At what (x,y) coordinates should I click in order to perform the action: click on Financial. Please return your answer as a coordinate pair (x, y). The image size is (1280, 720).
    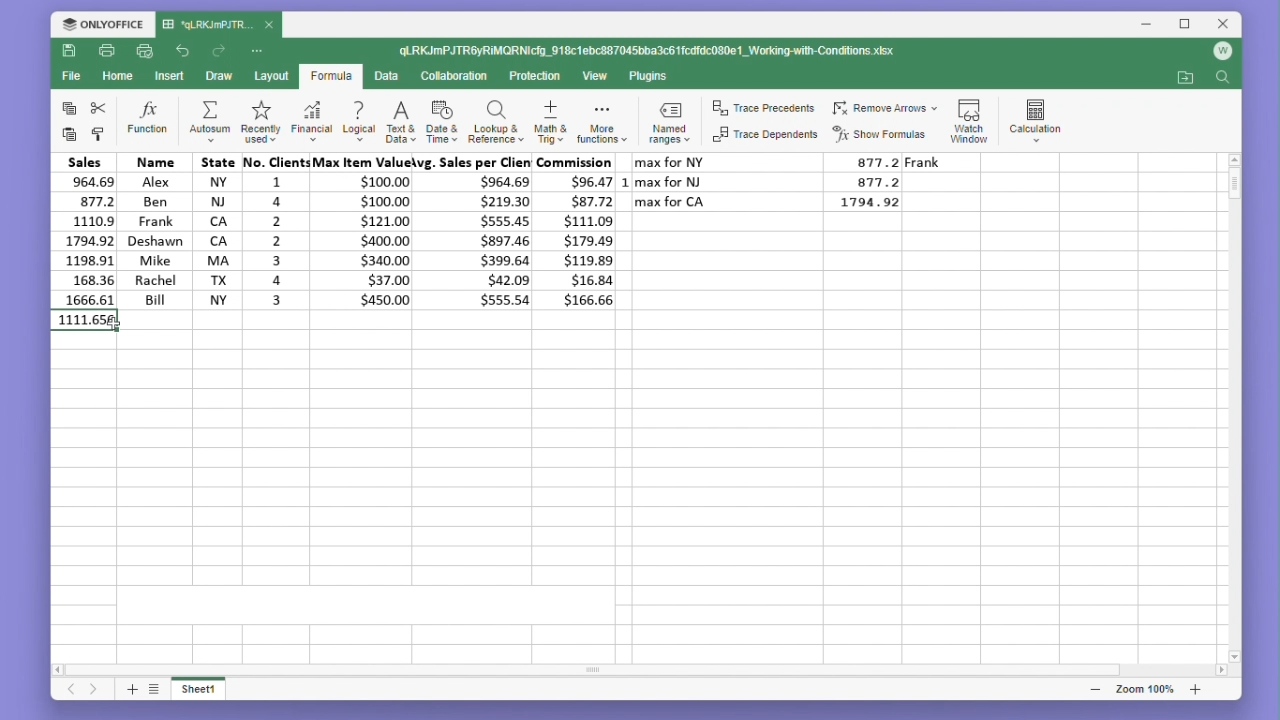
    Looking at the image, I should click on (312, 120).